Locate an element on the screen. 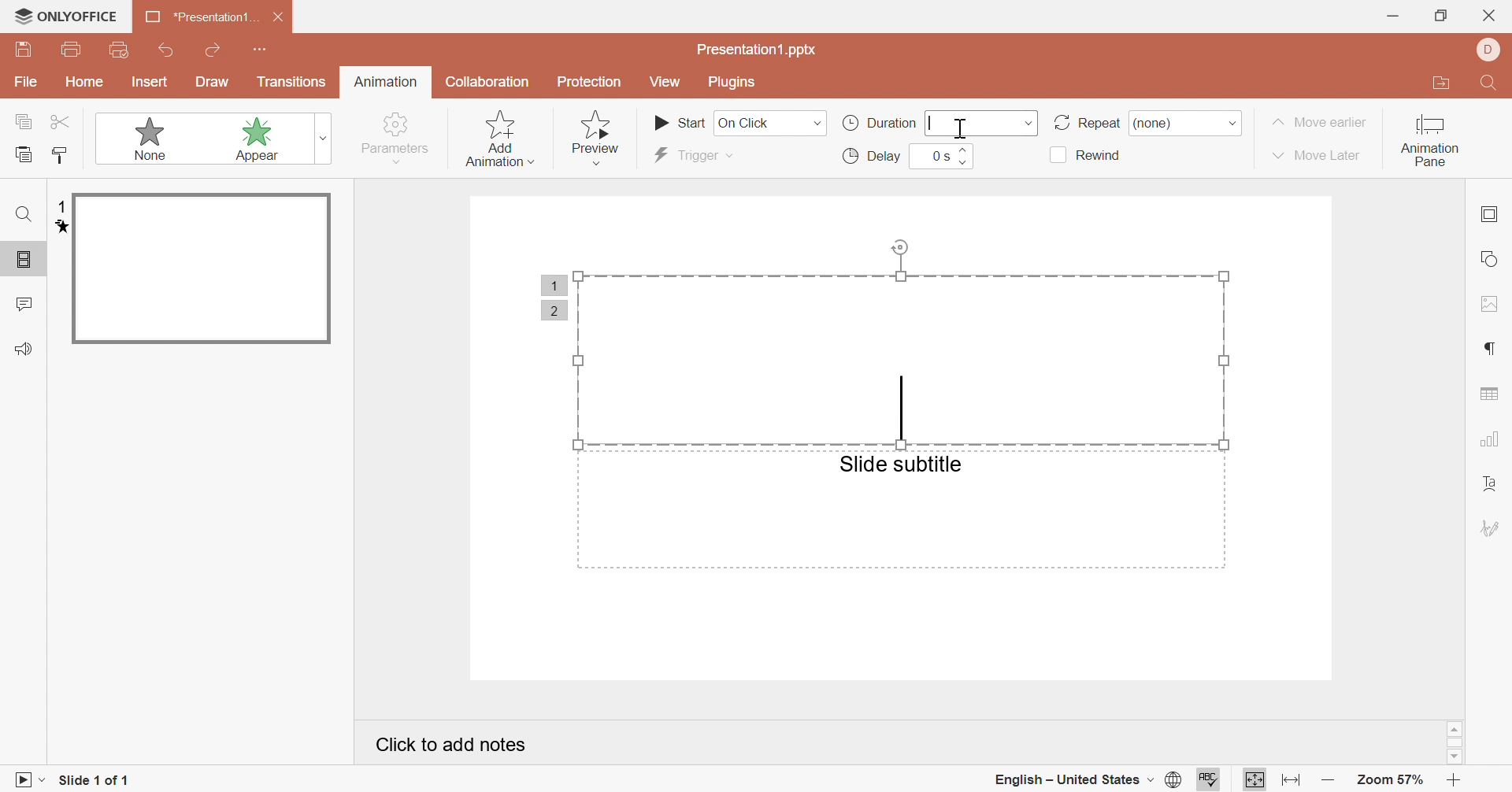  *presentation1... is located at coordinates (199, 17).